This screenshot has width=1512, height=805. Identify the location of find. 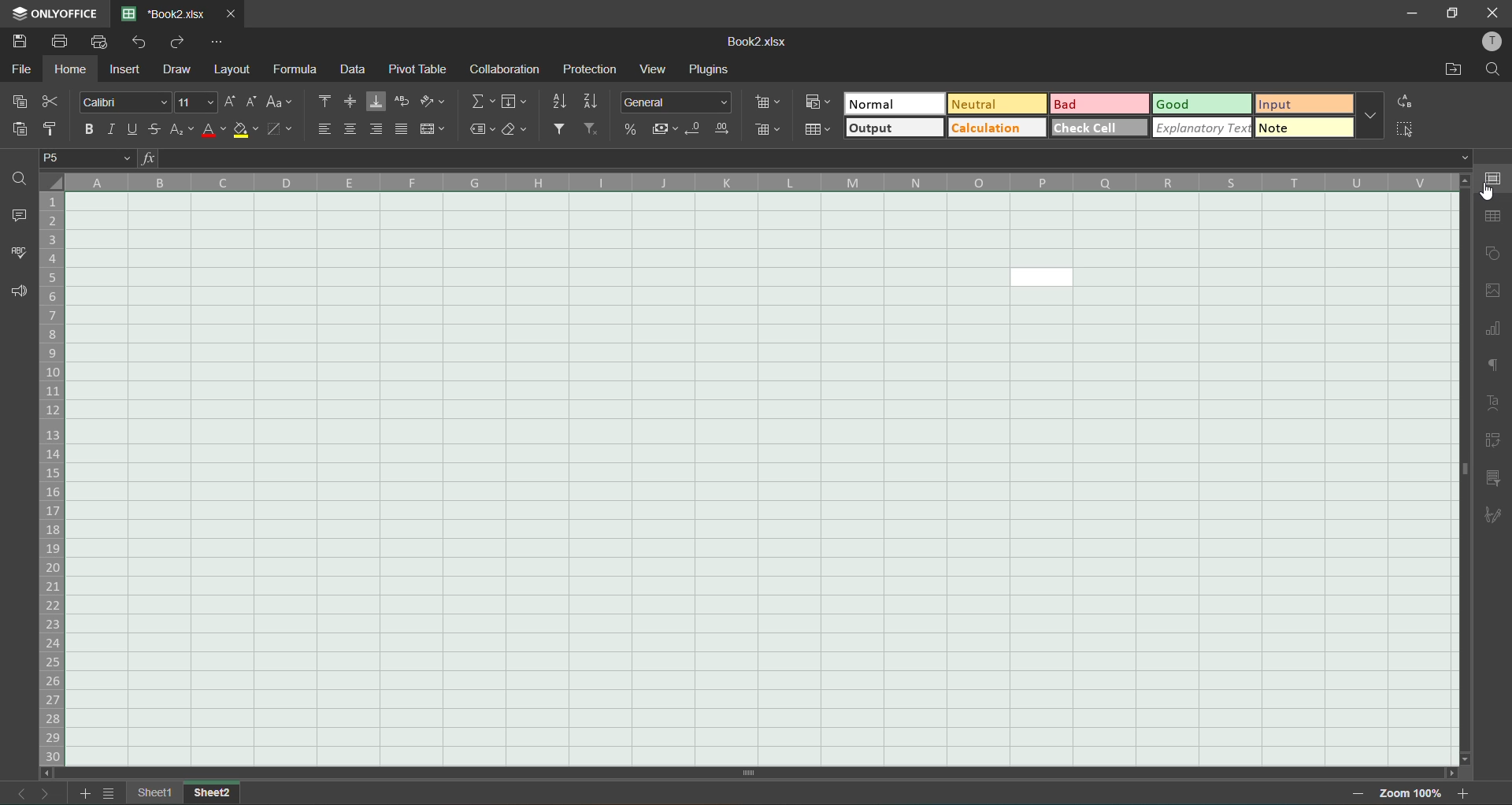
(1493, 69).